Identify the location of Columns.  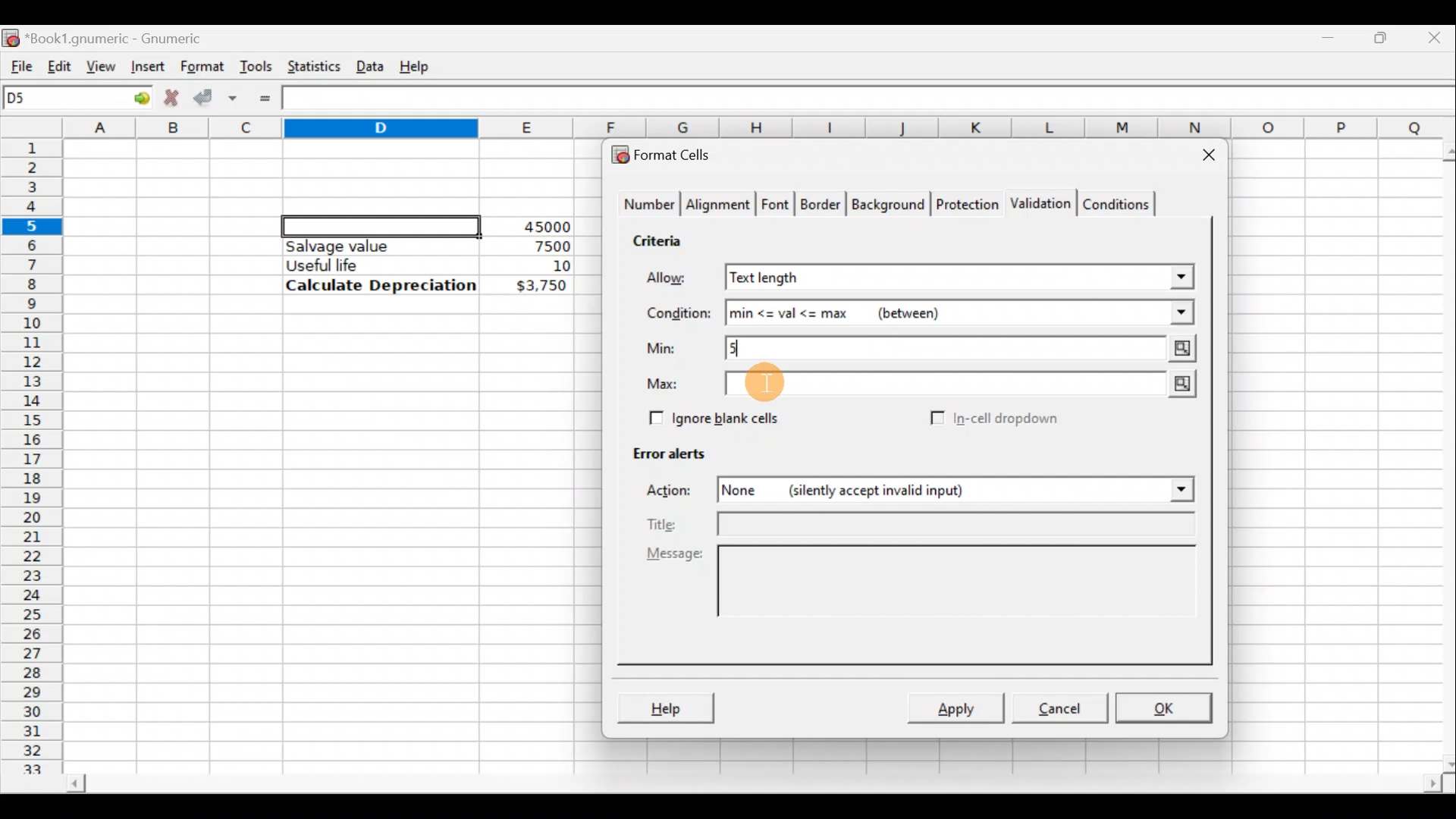
(761, 128).